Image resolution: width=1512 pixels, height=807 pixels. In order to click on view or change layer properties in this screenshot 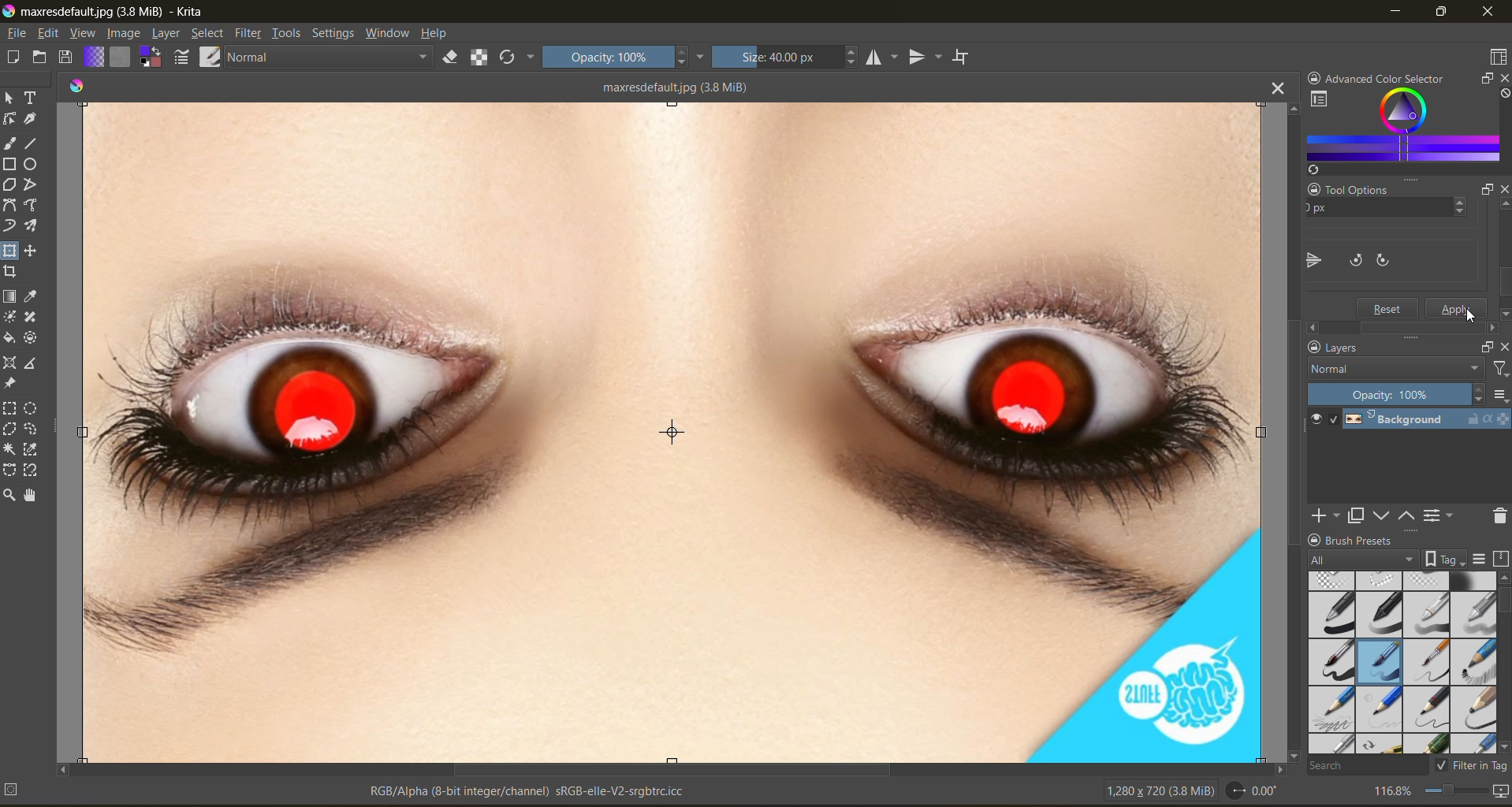, I will do `click(1440, 515)`.